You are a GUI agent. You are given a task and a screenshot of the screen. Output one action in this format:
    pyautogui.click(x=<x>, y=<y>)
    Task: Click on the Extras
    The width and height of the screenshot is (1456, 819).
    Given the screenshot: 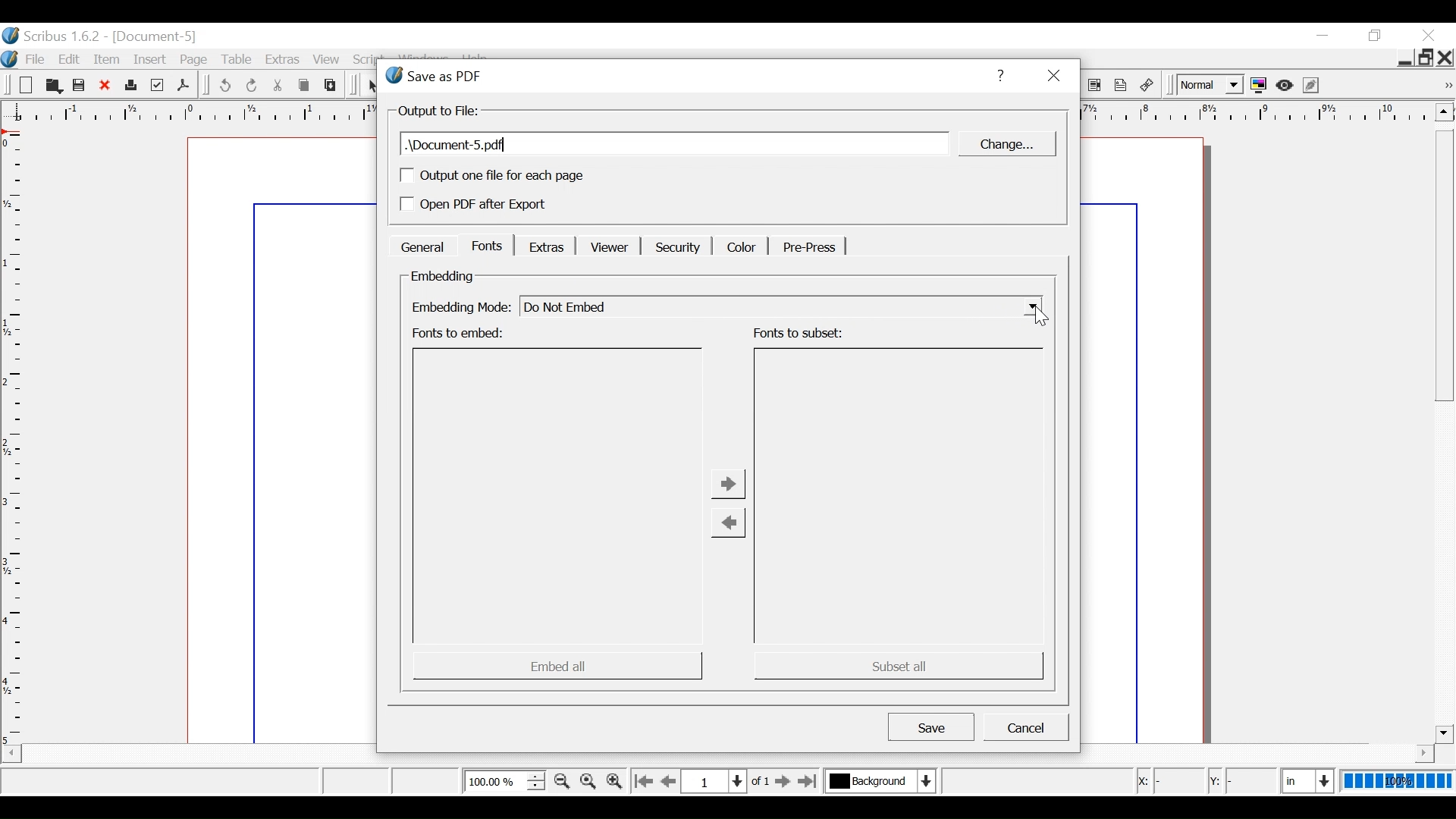 What is the action you would take?
    pyautogui.click(x=544, y=246)
    